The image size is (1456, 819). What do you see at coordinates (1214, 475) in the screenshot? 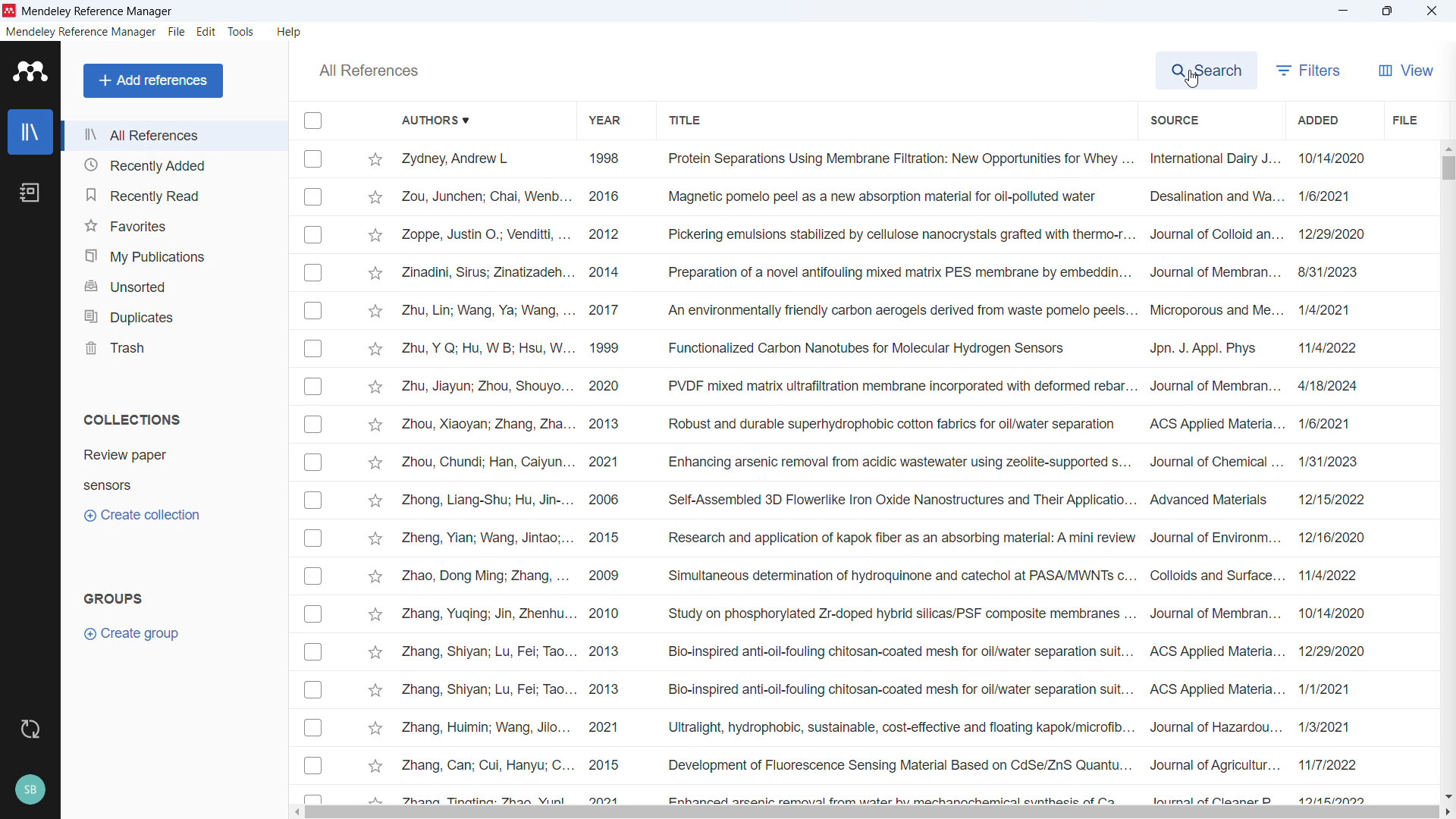
I see `Source of individual entries ` at bounding box center [1214, 475].